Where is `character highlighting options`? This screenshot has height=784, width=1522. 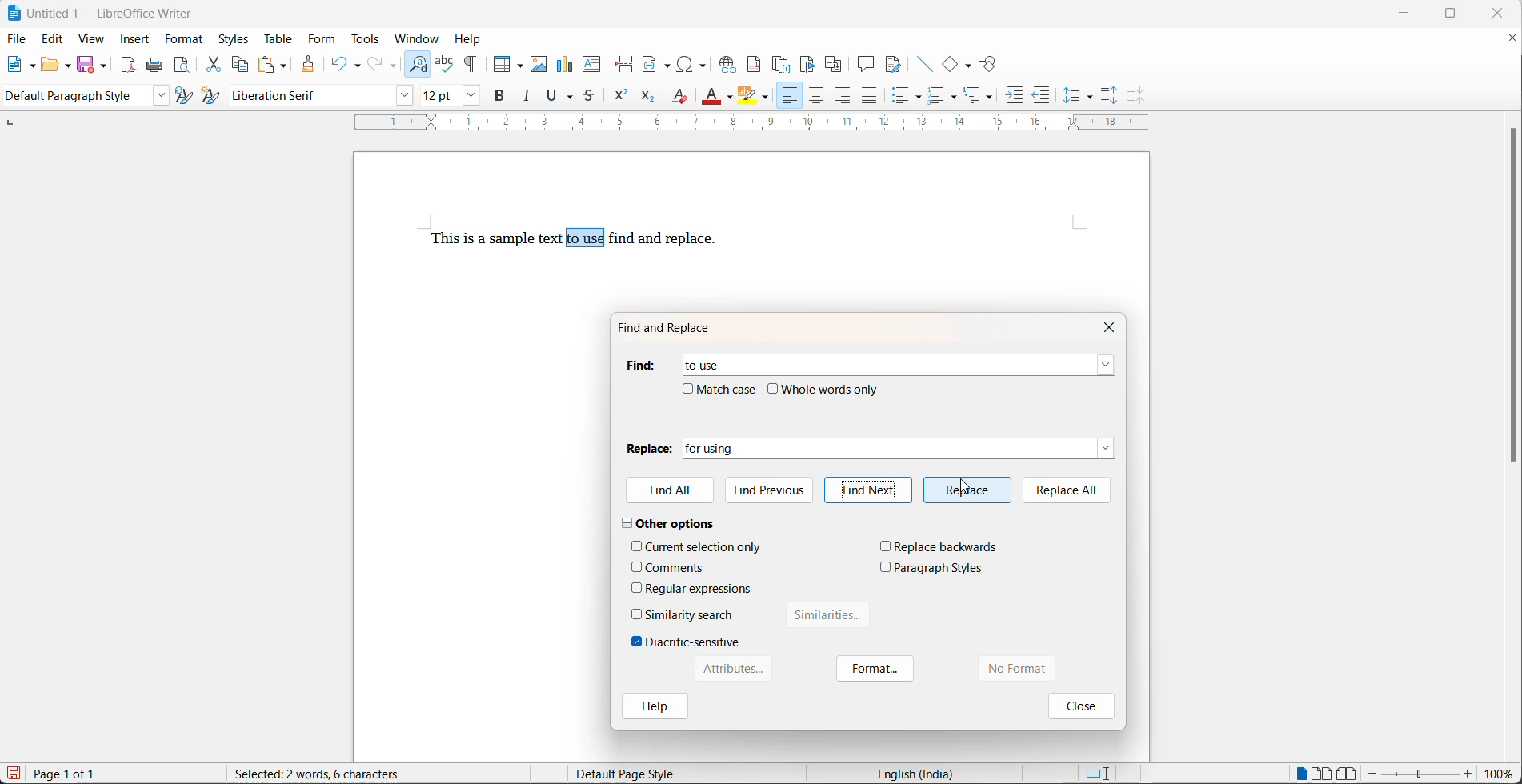
character highlighting options is located at coordinates (768, 98).